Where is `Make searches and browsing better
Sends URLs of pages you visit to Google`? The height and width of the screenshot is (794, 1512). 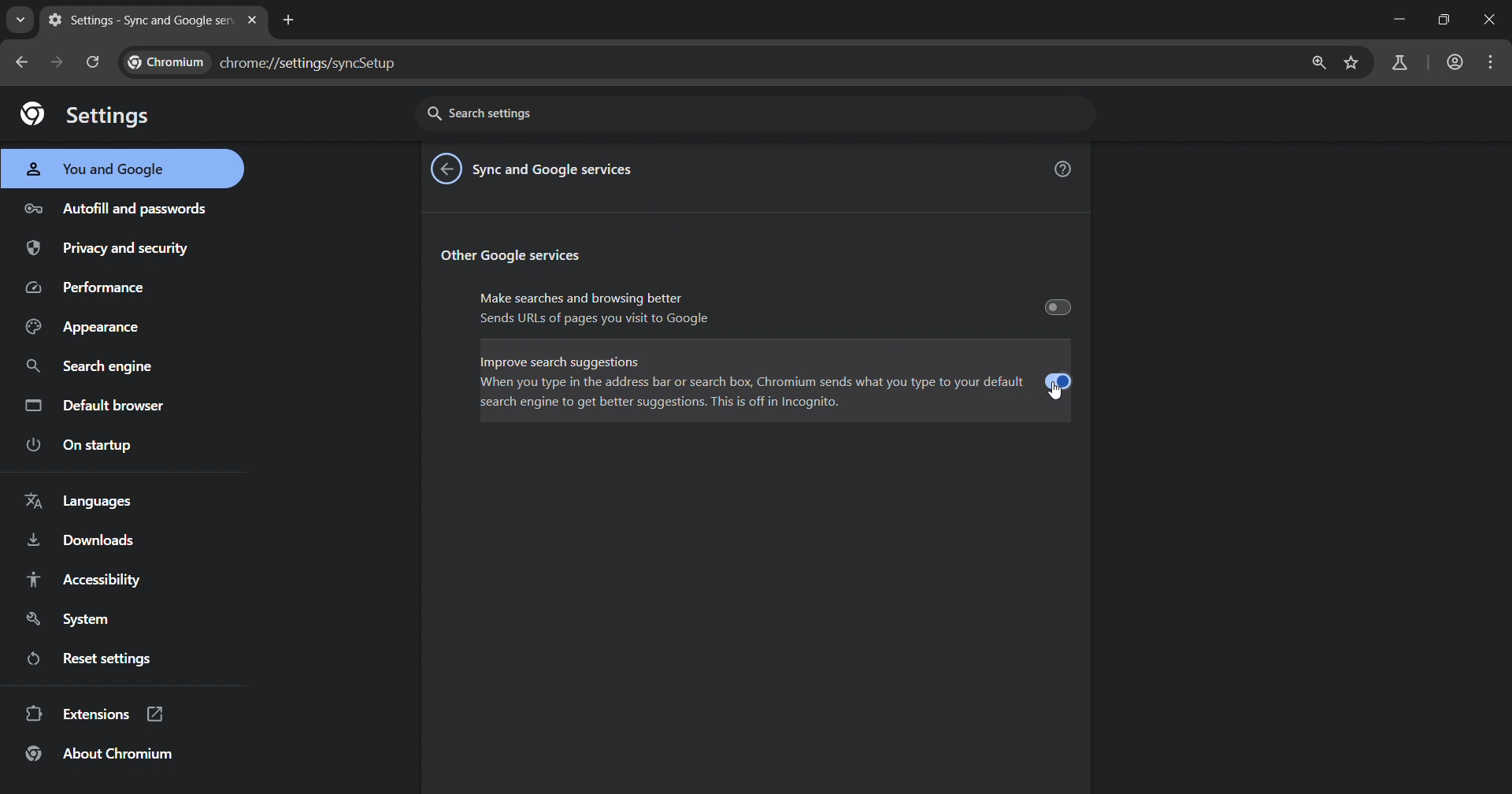
Make searches and browsing better
Sends URLs of pages you visit to Google is located at coordinates (773, 307).